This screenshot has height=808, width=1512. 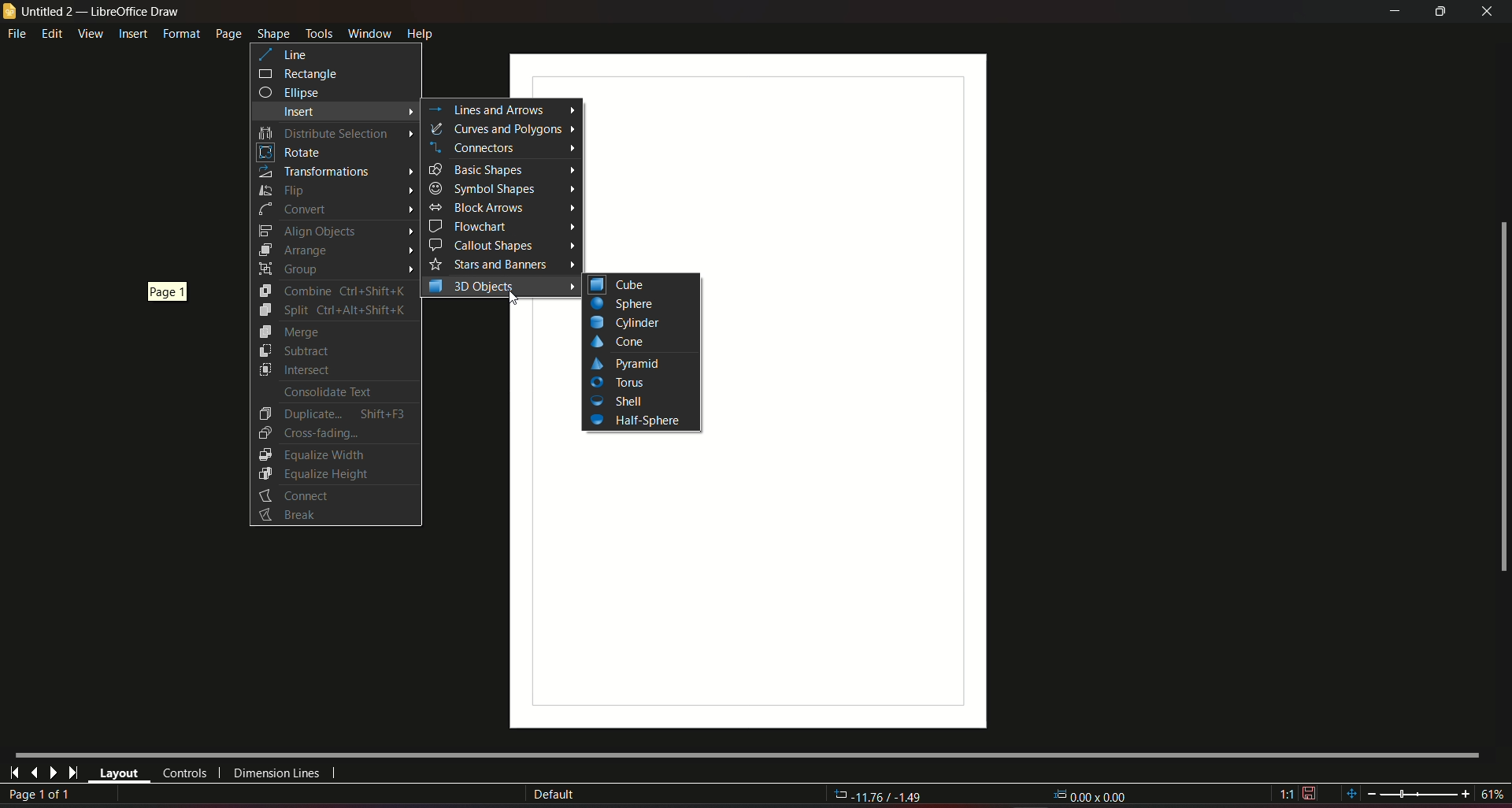 What do you see at coordinates (132, 35) in the screenshot?
I see `insert` at bounding box center [132, 35].